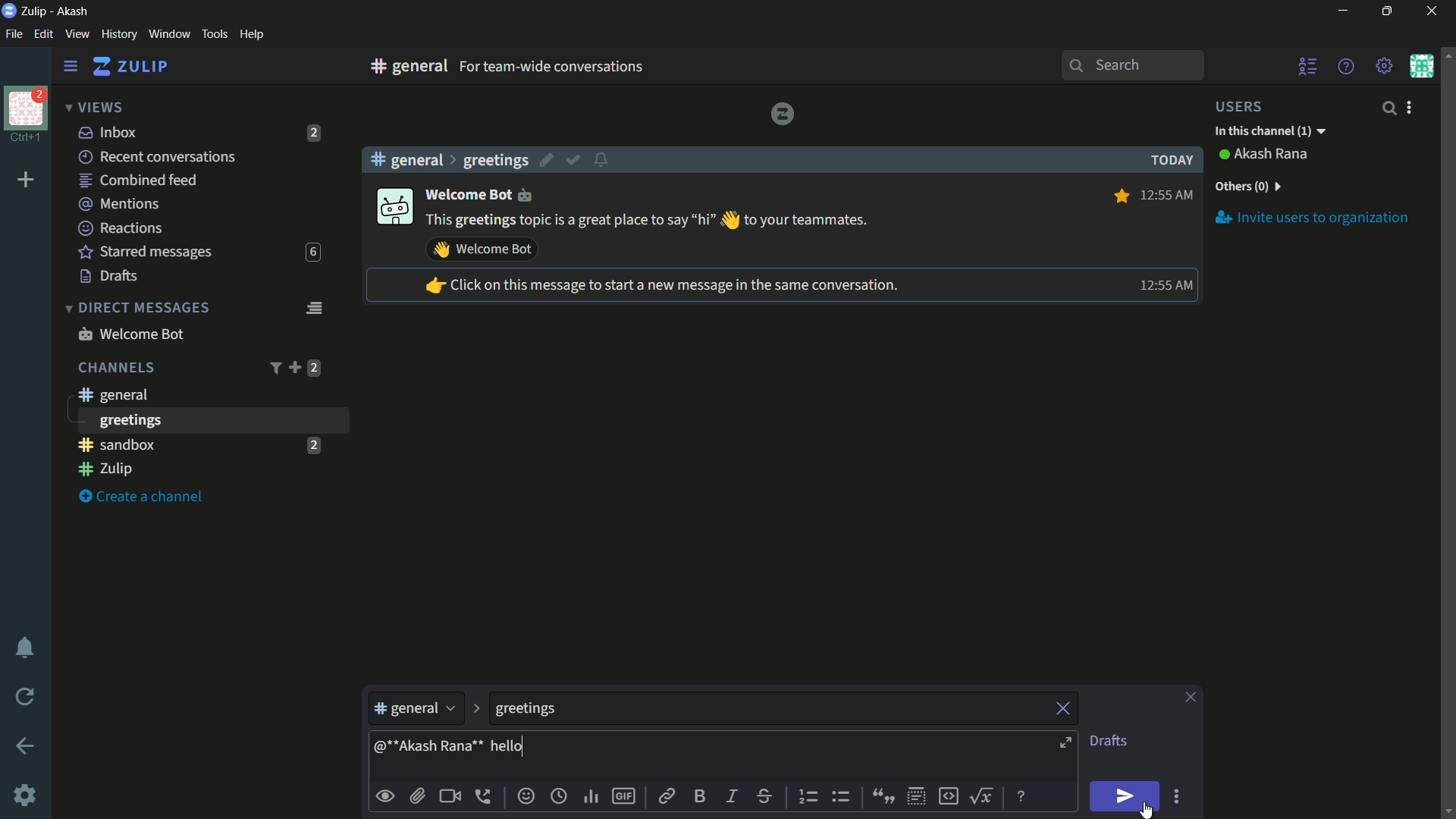 Image resolution: width=1456 pixels, height=819 pixels. What do you see at coordinates (1447, 54) in the screenshot?
I see `scroll up` at bounding box center [1447, 54].